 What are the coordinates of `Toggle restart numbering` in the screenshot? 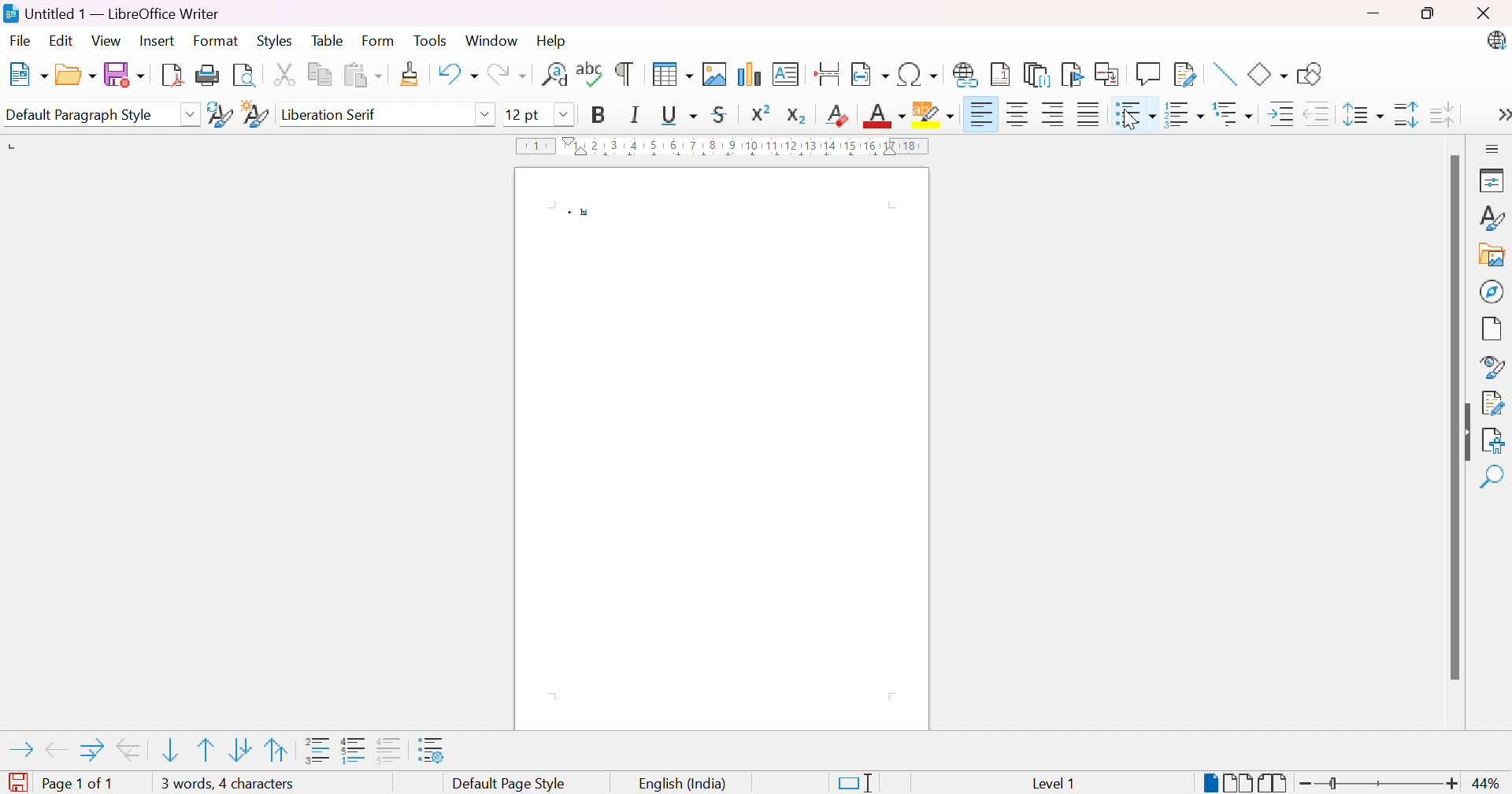 It's located at (354, 751).